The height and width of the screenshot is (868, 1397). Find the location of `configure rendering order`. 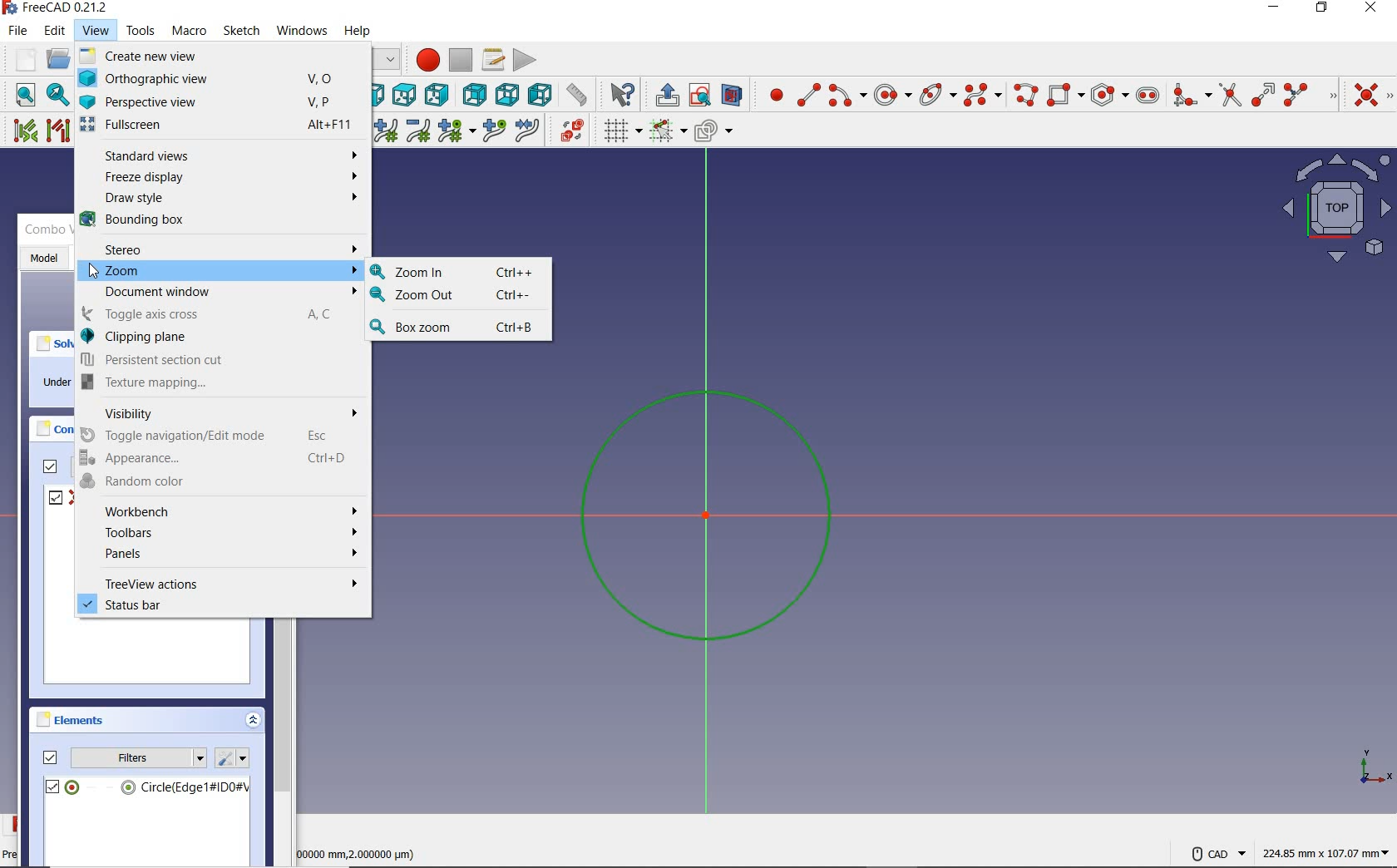

configure rendering order is located at coordinates (714, 131).